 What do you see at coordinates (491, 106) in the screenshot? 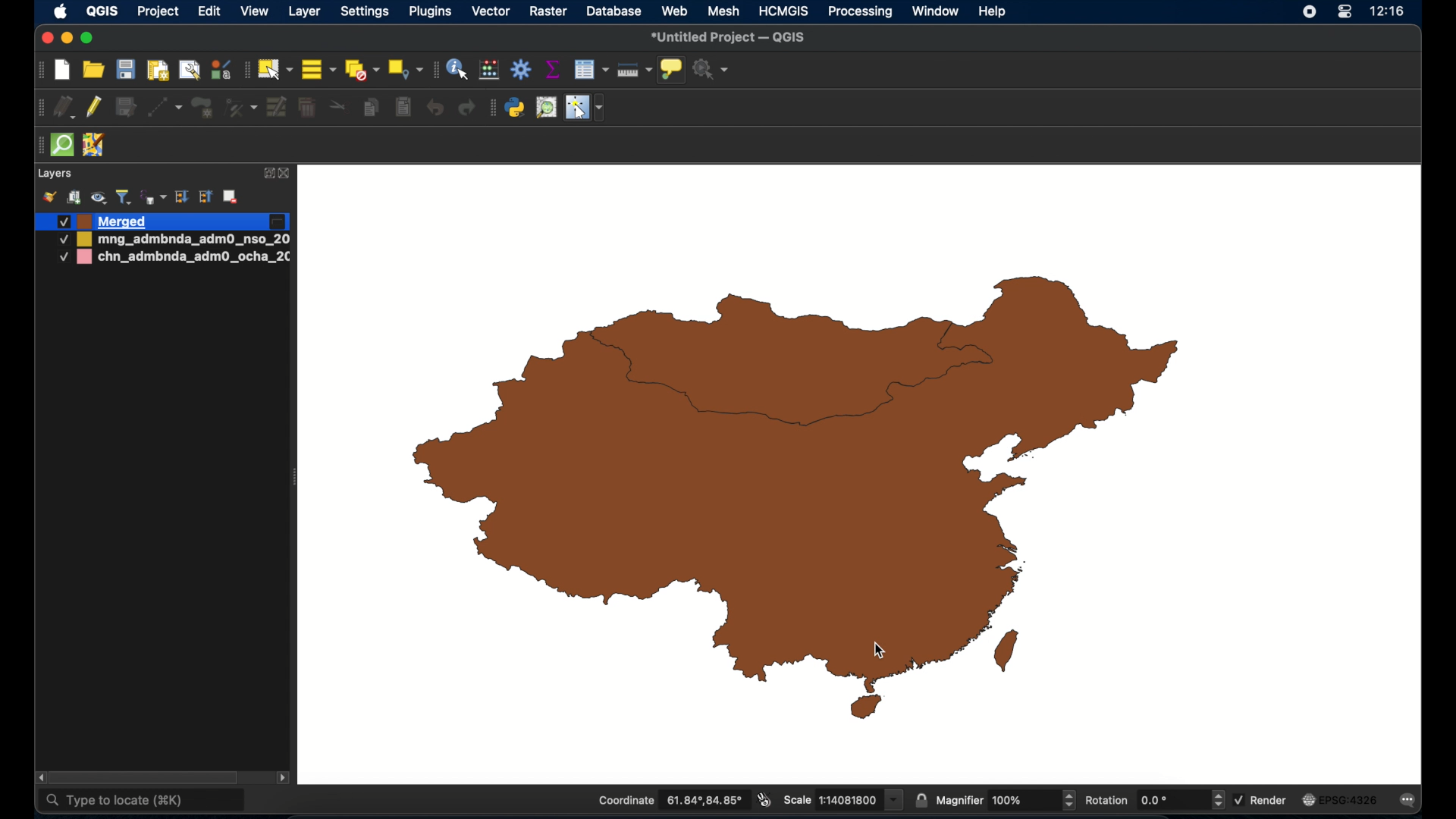
I see `plugins toolbar` at bounding box center [491, 106].